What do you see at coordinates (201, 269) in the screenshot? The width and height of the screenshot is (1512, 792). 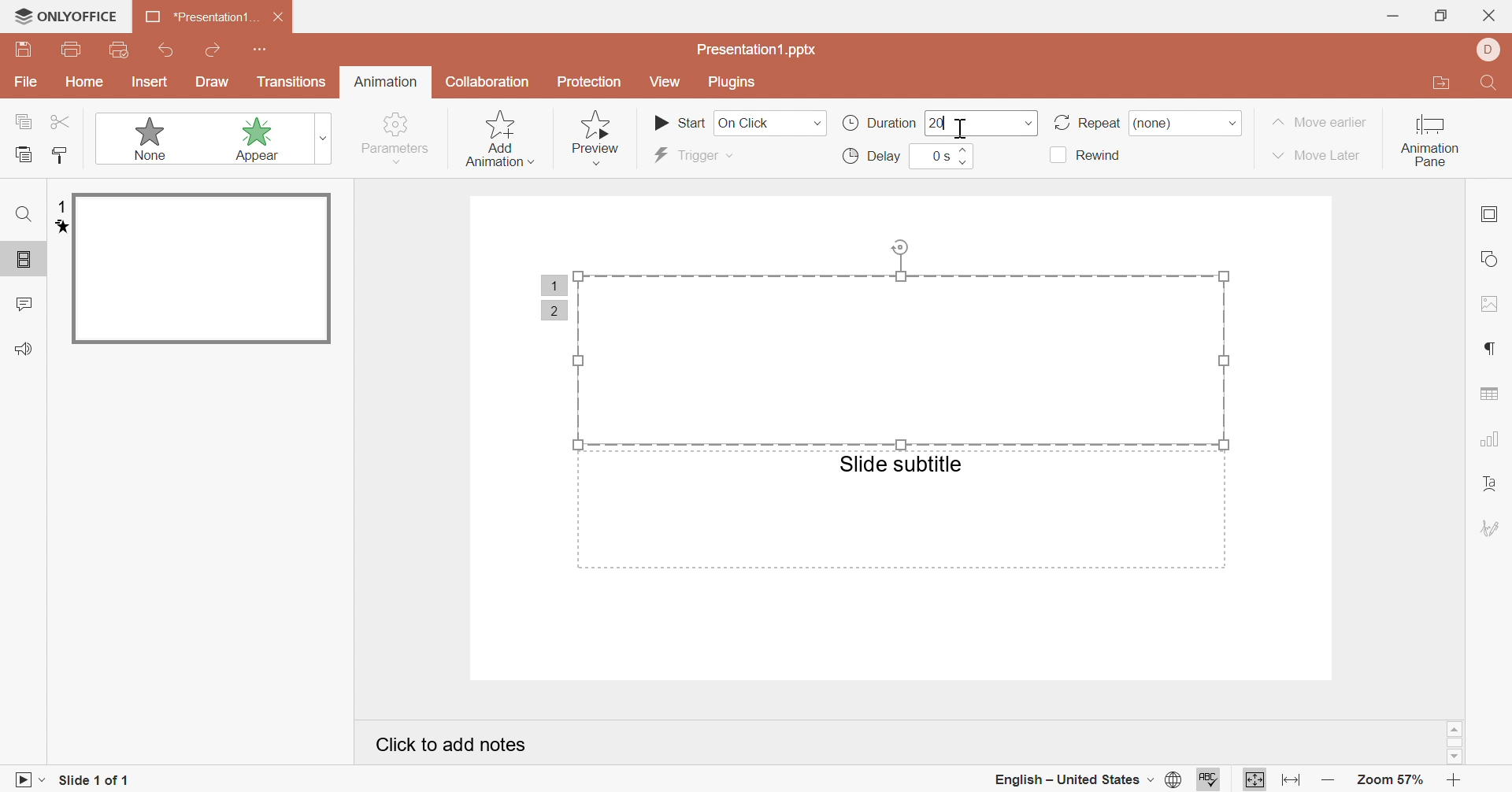 I see `slide` at bounding box center [201, 269].